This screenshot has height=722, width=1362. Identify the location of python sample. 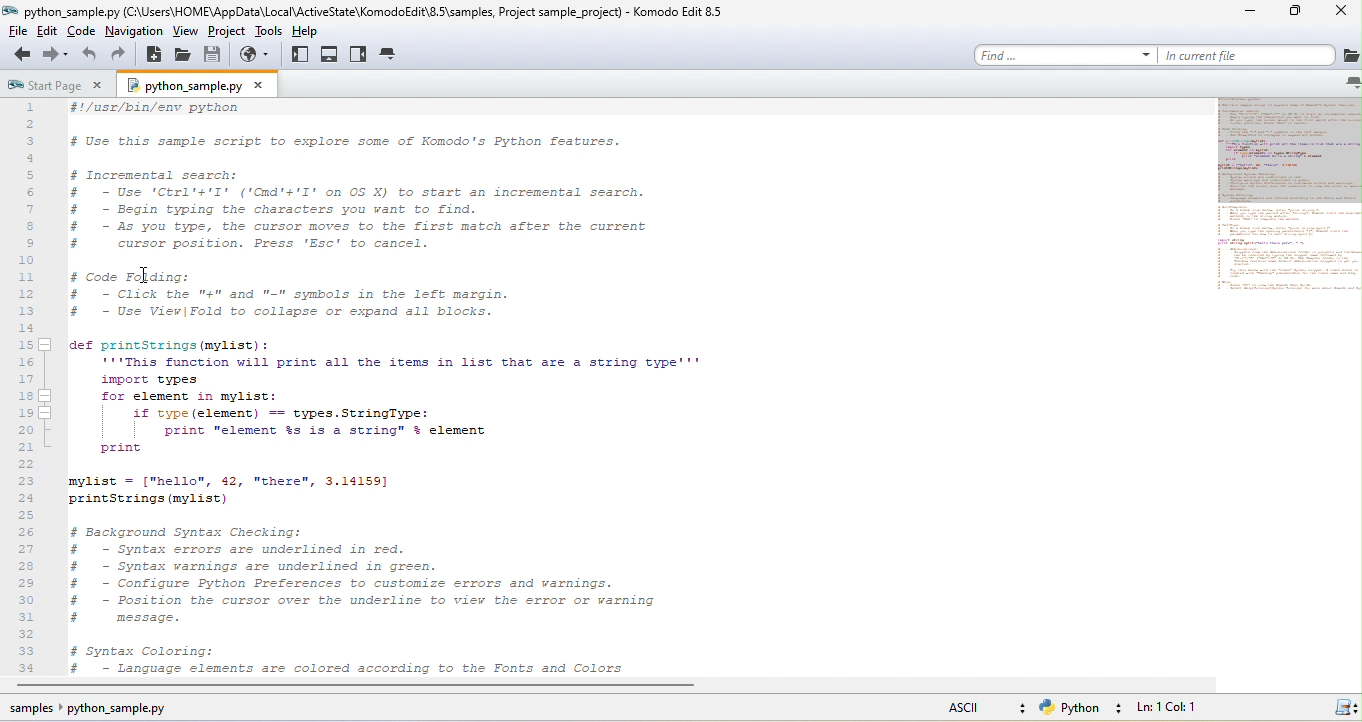
(198, 86).